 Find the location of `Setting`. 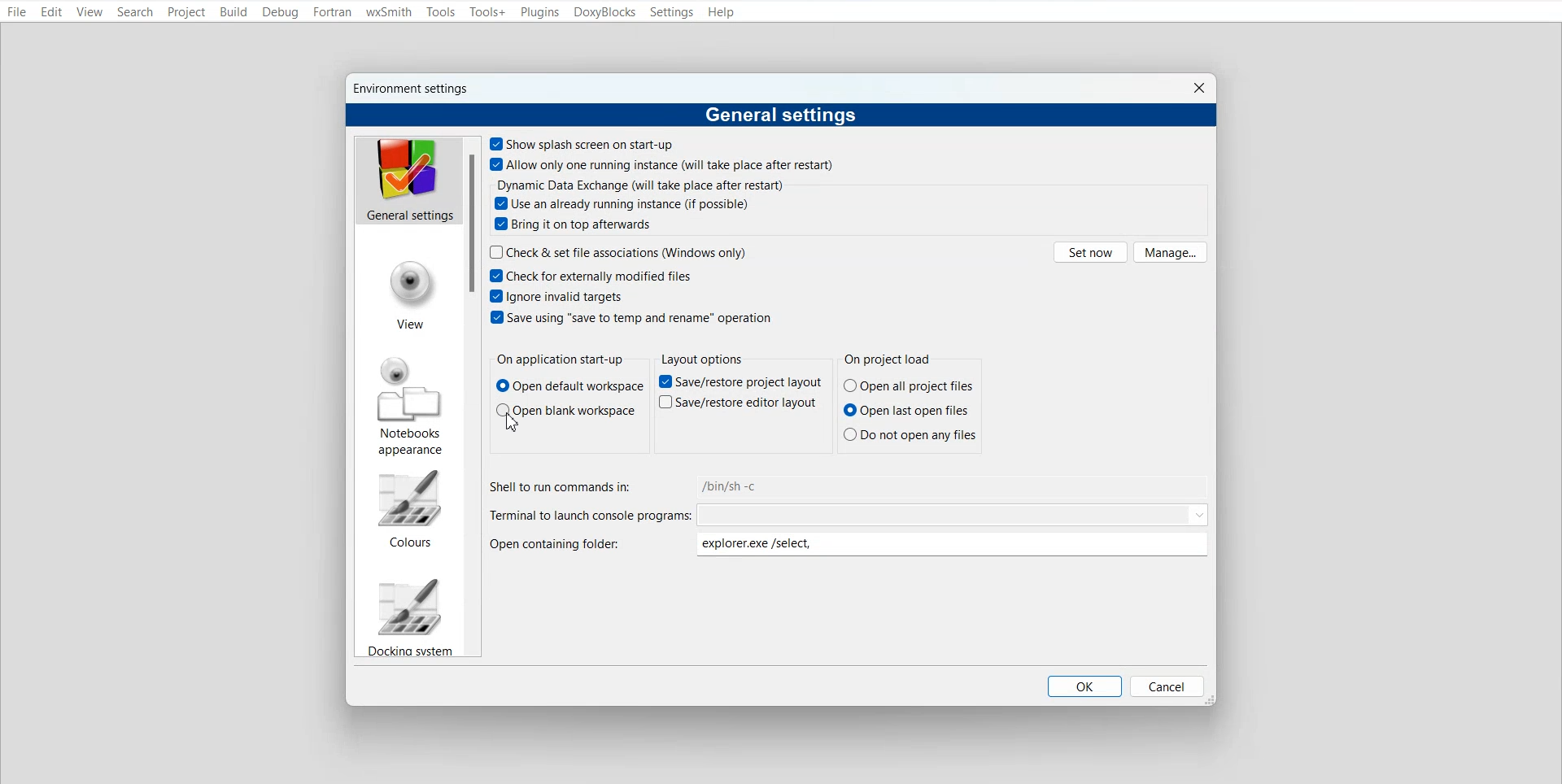

Setting is located at coordinates (671, 12).